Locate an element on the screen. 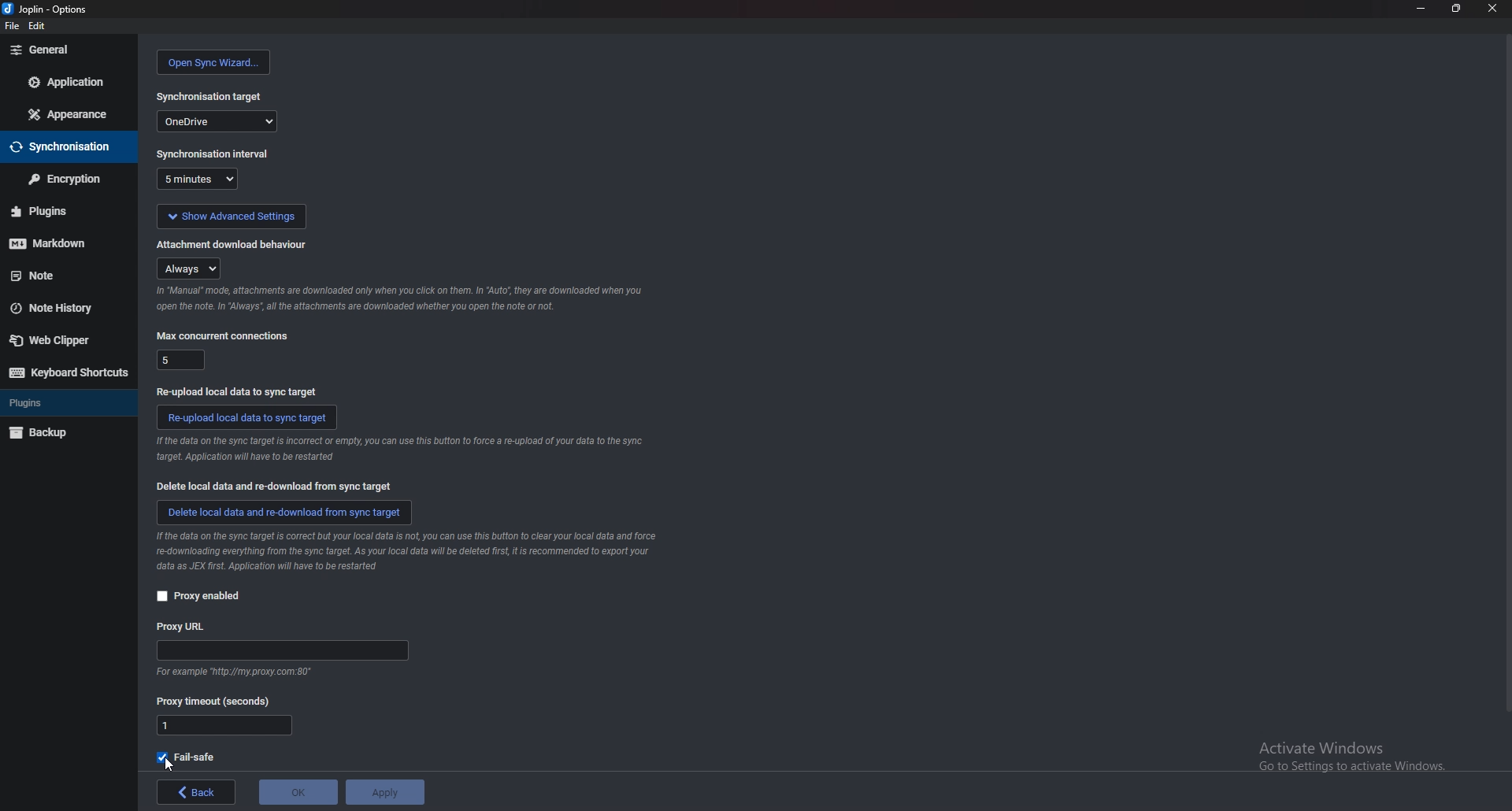 This screenshot has width=1512, height=811. delete local data and redownload is located at coordinates (283, 513).